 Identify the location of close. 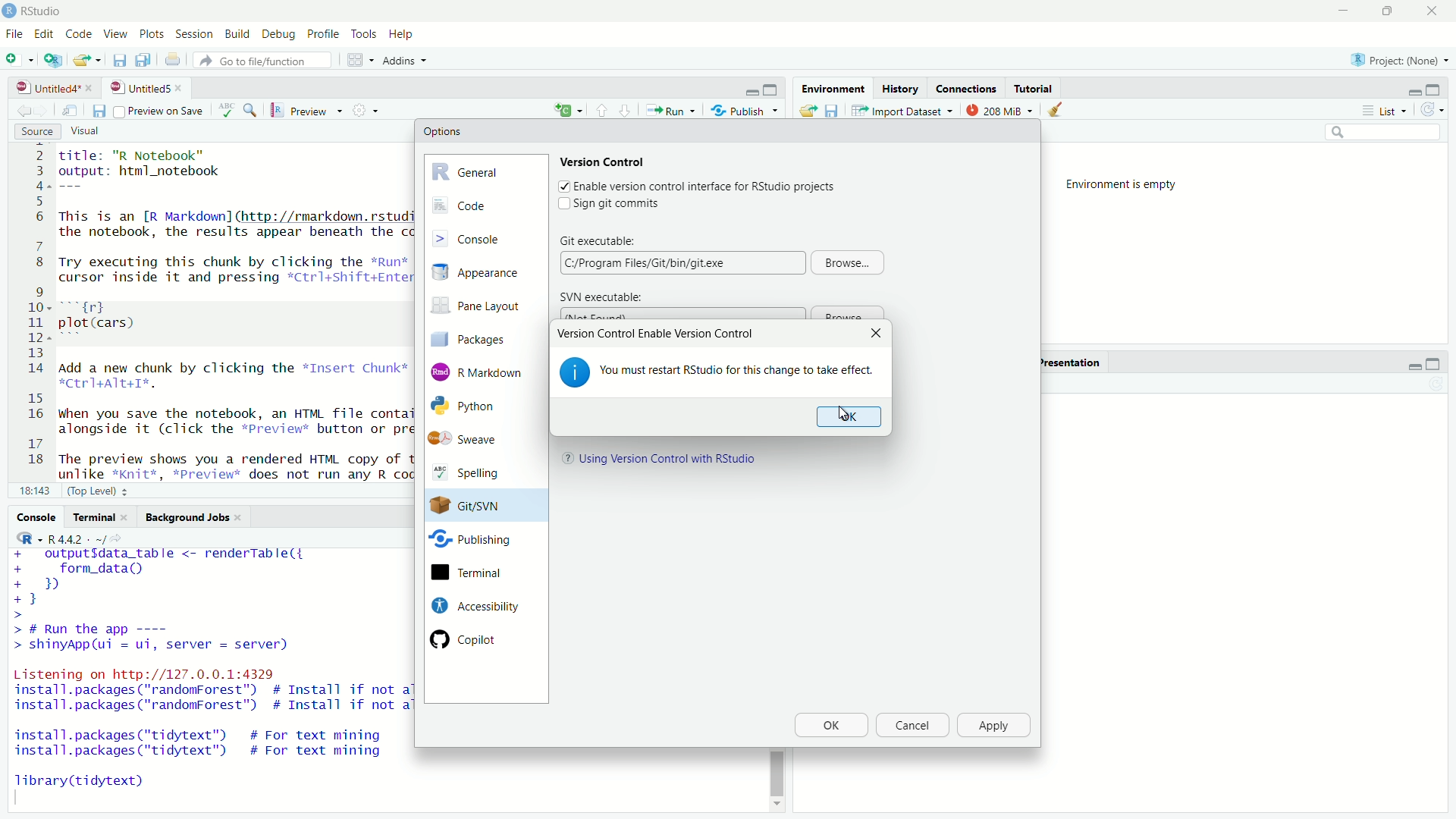
(182, 88).